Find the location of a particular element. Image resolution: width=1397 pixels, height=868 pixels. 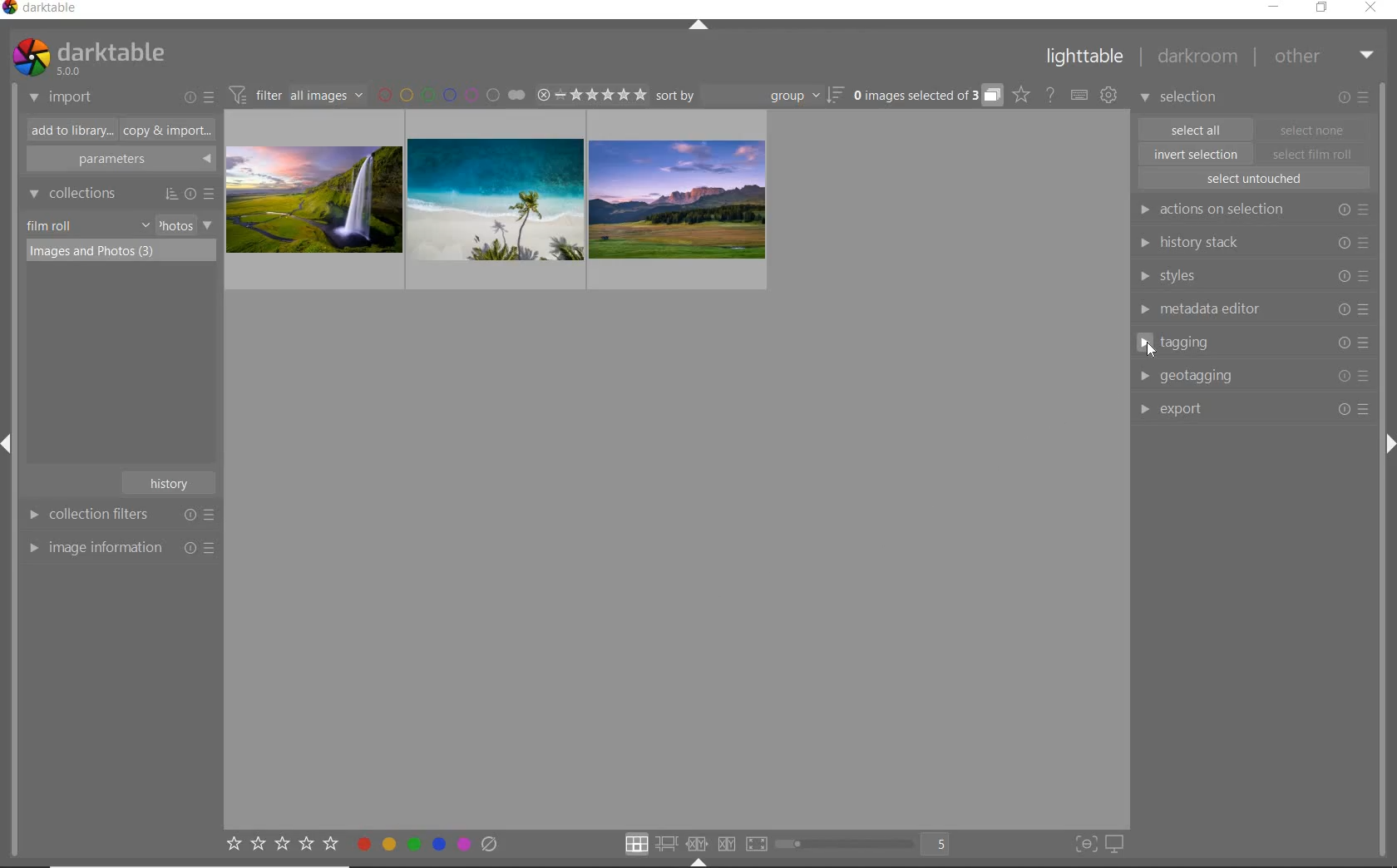

modify selected images or presets & preferences is located at coordinates (1356, 98).